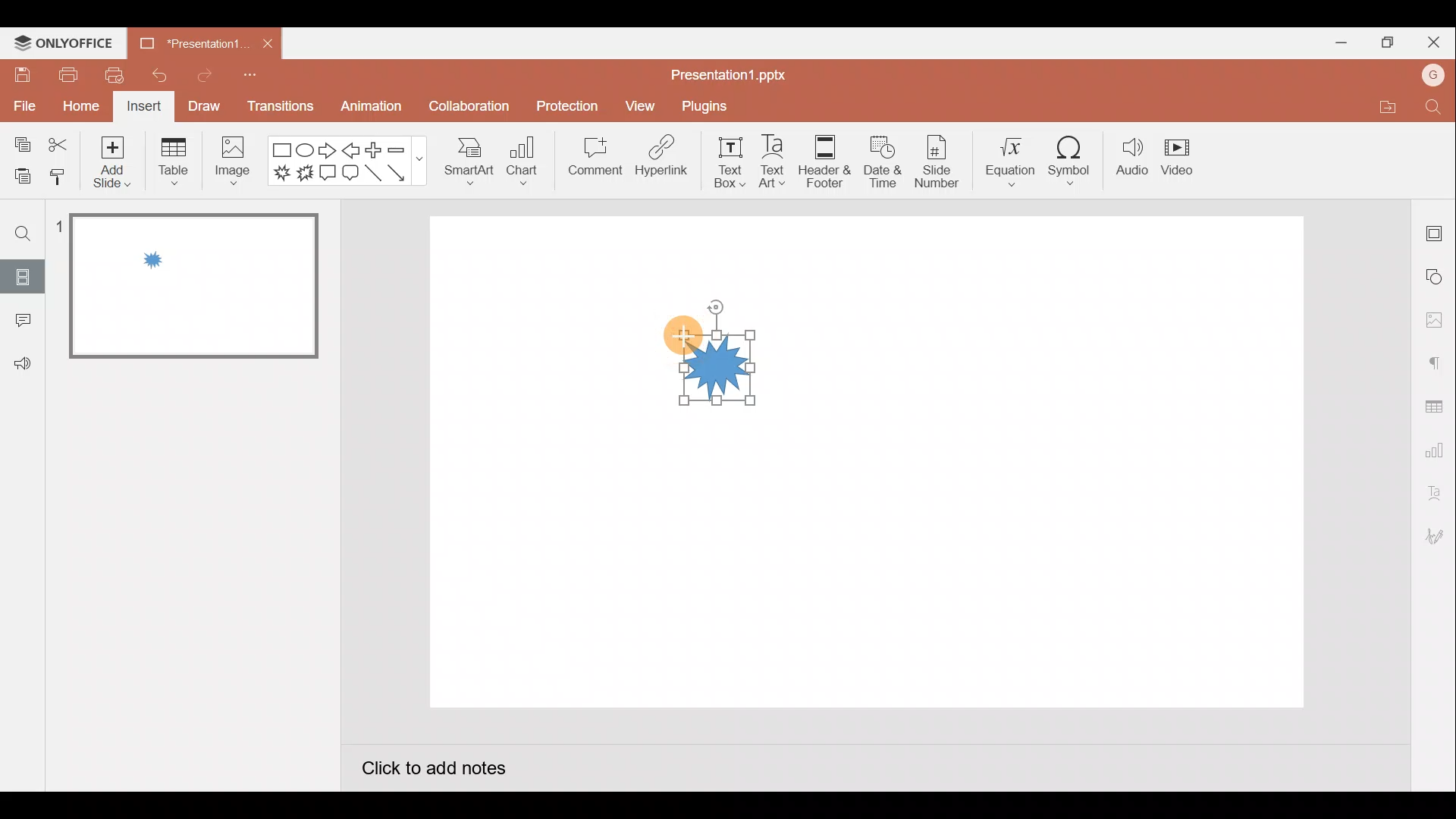  What do you see at coordinates (21, 277) in the screenshot?
I see `Slides` at bounding box center [21, 277].